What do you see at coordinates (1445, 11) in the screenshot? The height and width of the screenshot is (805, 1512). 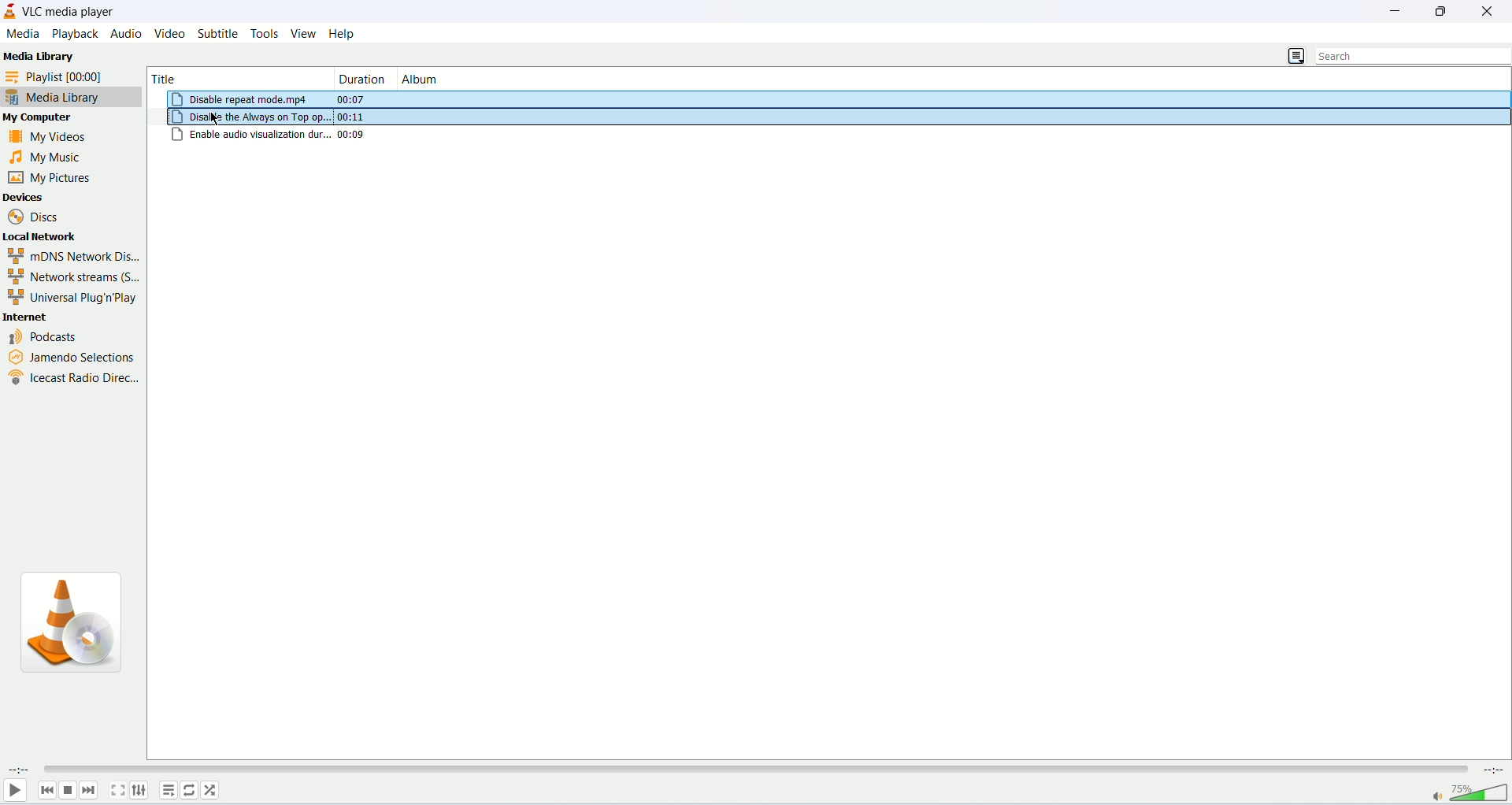 I see `maximize` at bounding box center [1445, 11].